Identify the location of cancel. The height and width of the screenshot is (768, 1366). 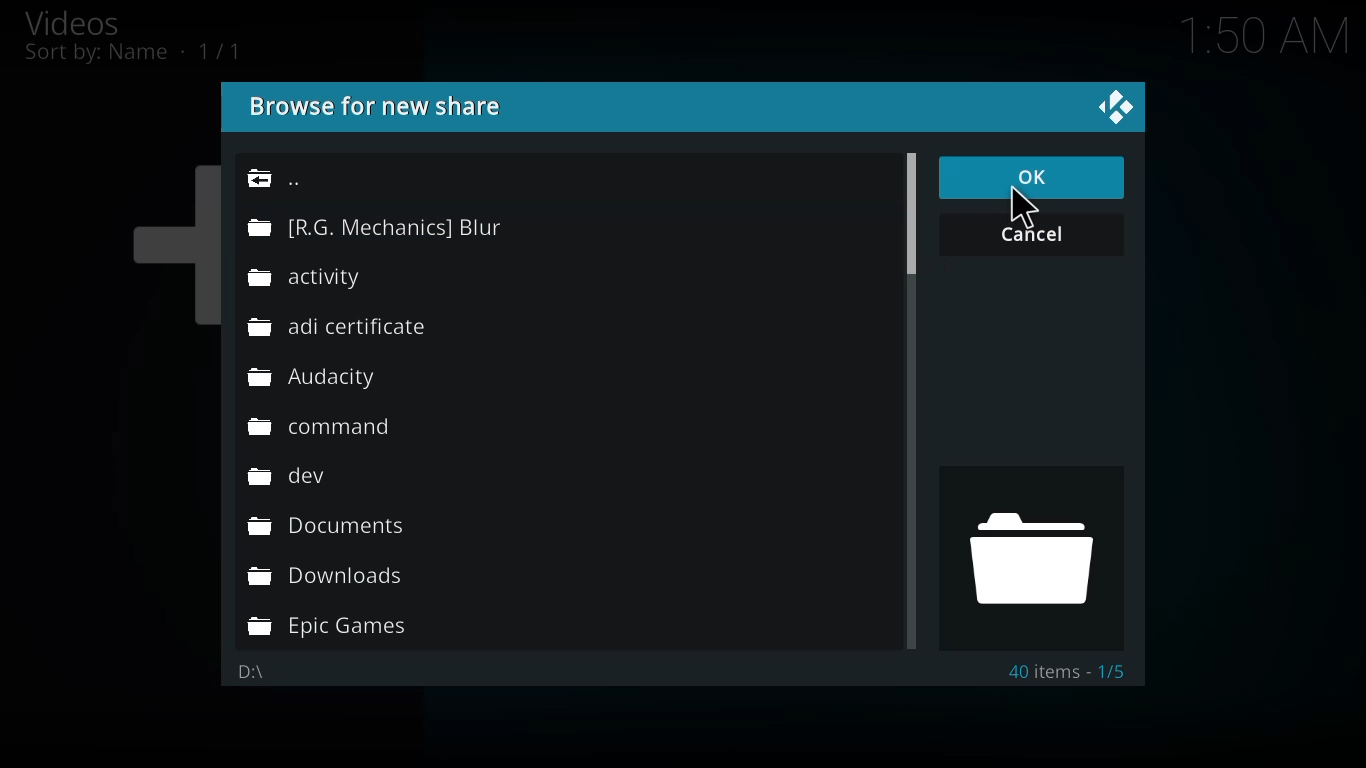
(1032, 234).